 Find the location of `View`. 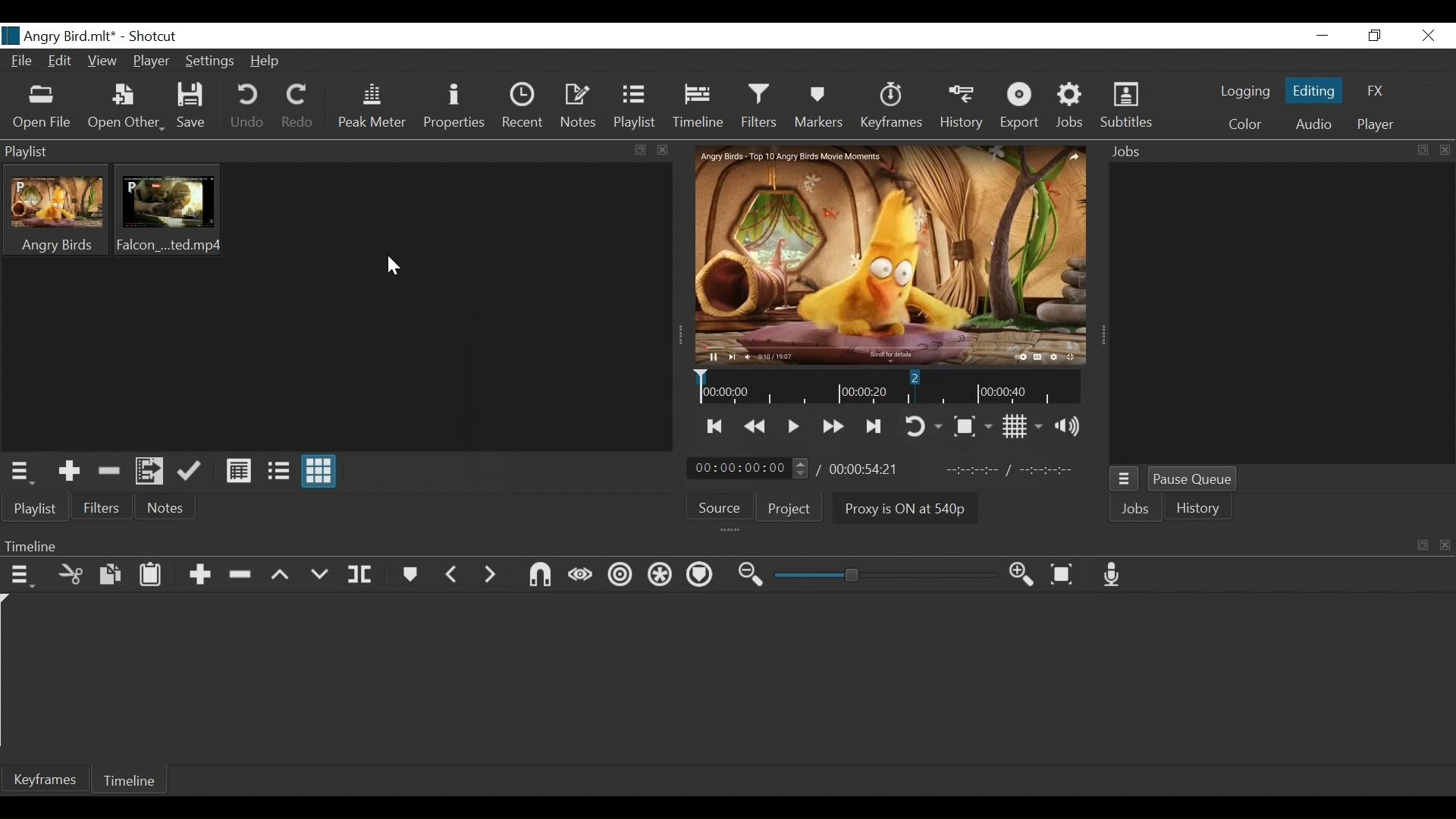

View is located at coordinates (104, 60).